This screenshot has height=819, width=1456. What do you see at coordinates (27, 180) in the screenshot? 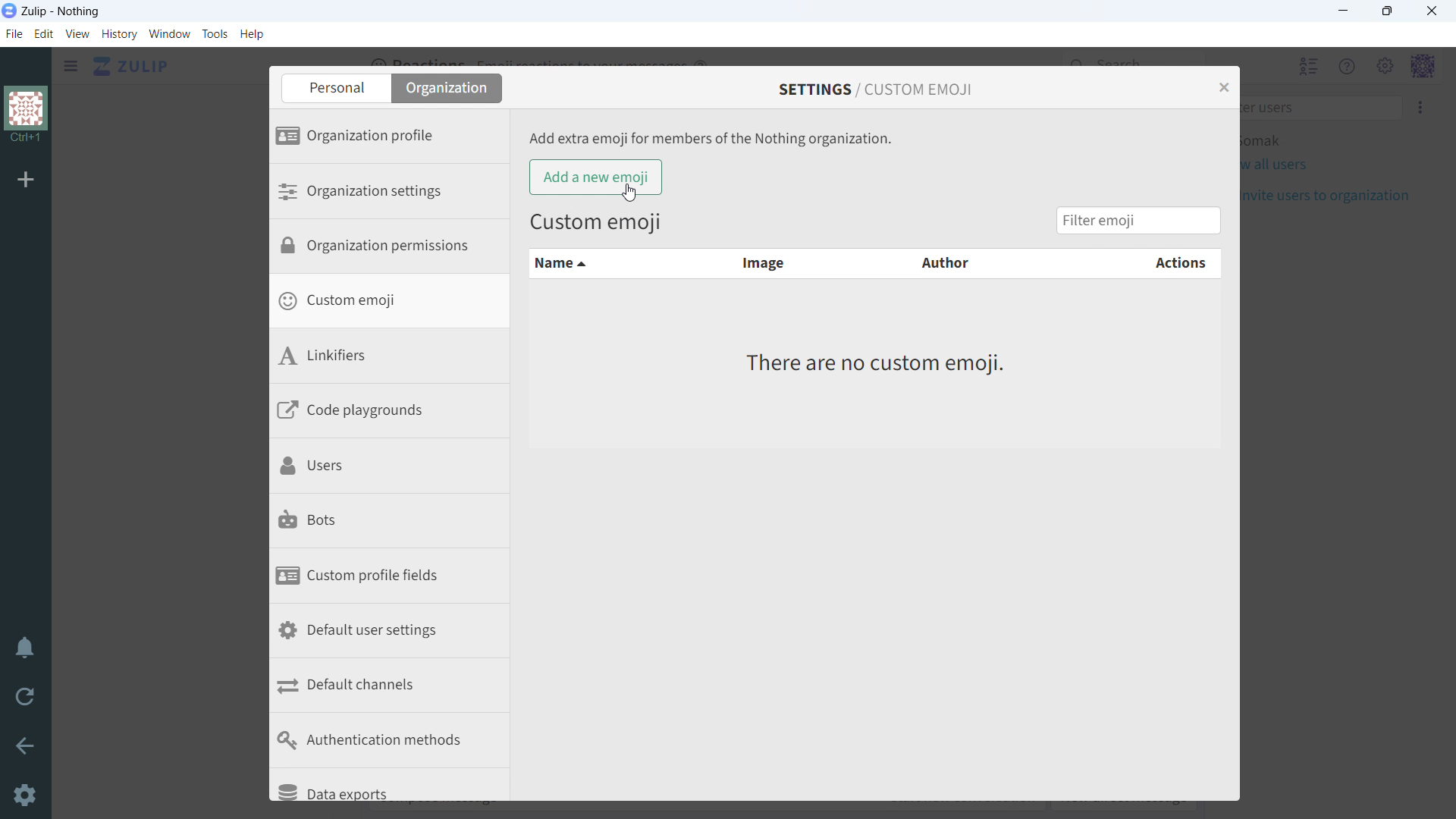
I see `add organization` at bounding box center [27, 180].